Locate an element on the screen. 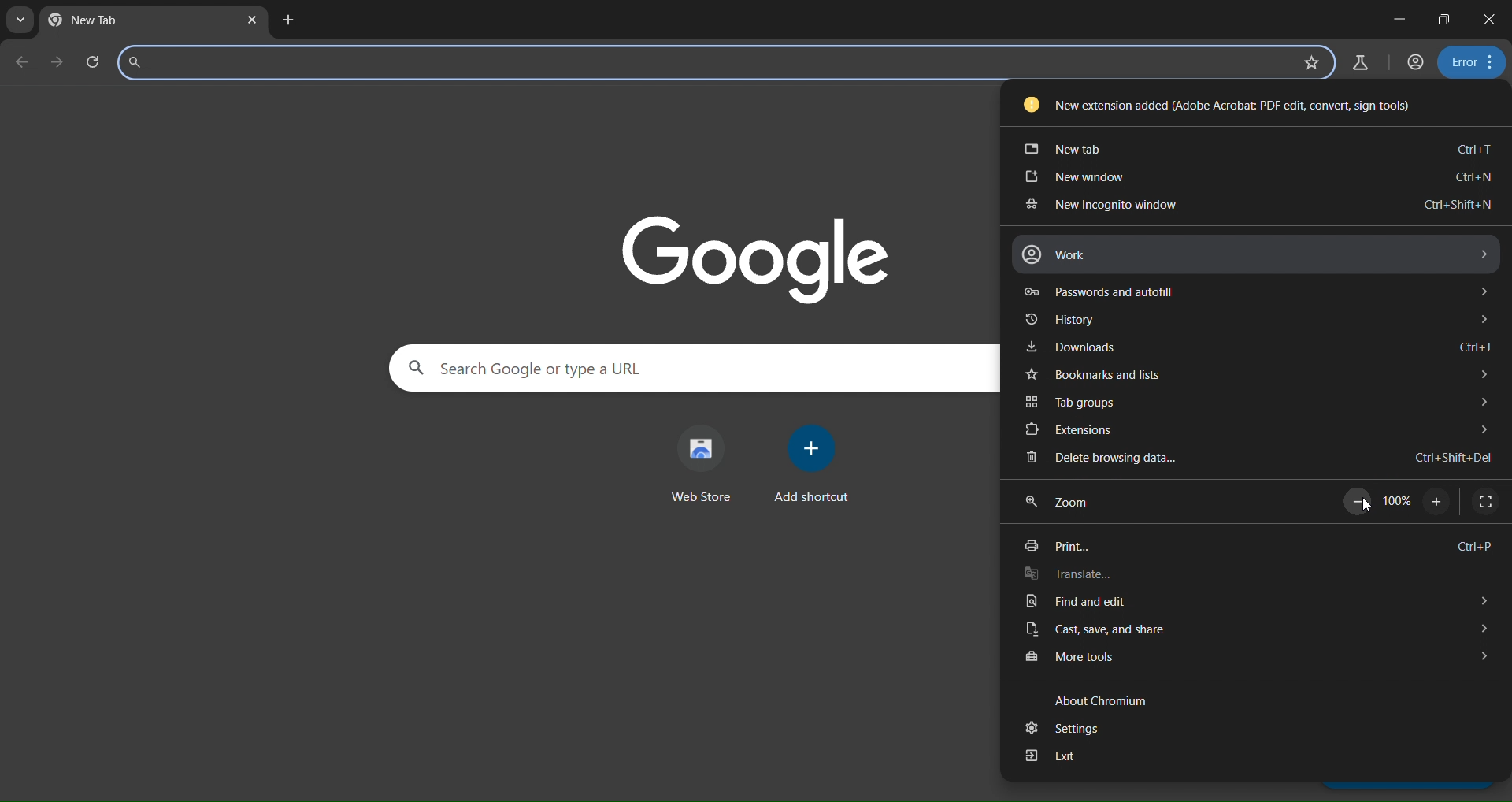  go forward one page is located at coordinates (58, 60).